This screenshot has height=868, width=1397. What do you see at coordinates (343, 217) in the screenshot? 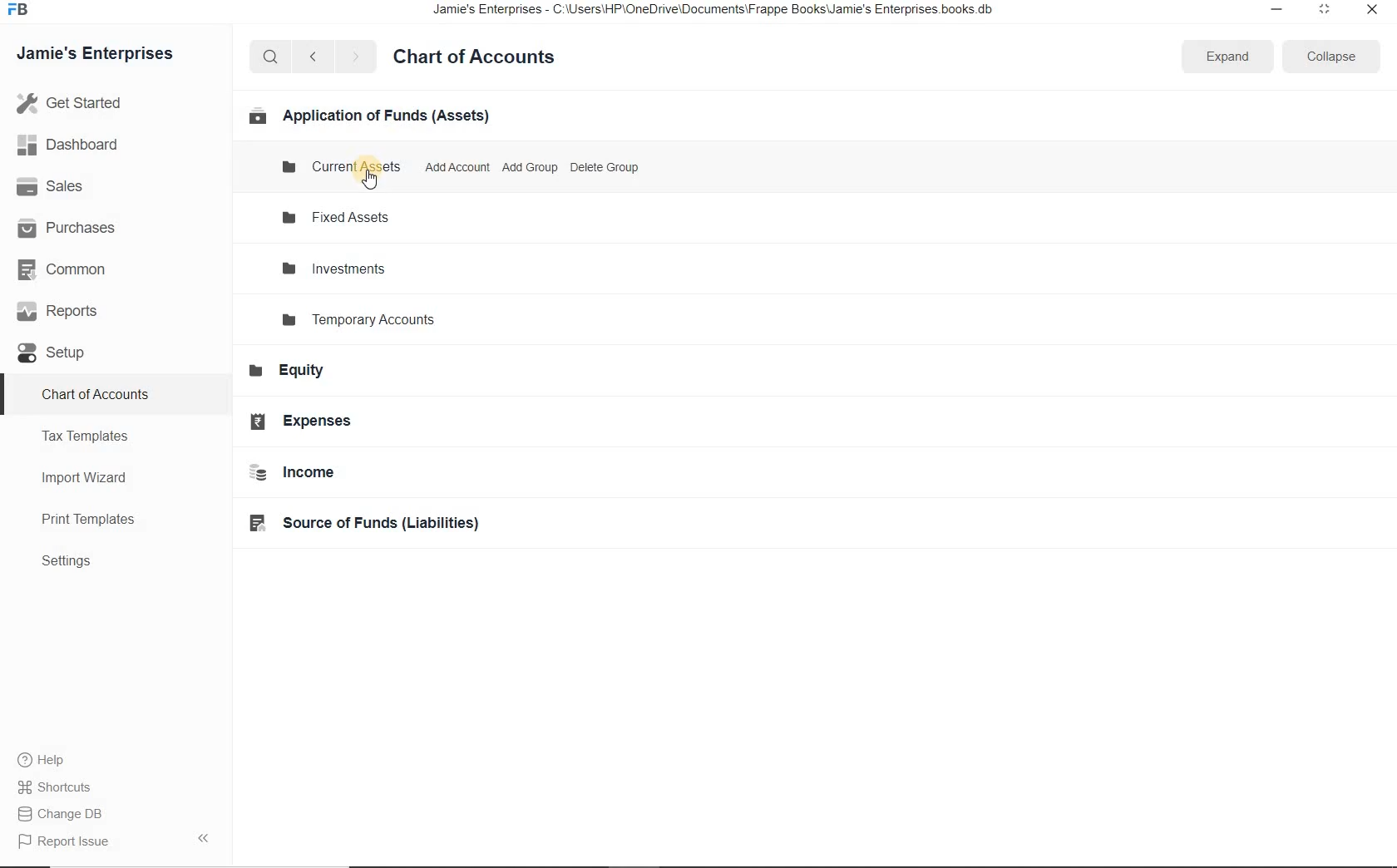
I see `Fixed Assets` at bounding box center [343, 217].